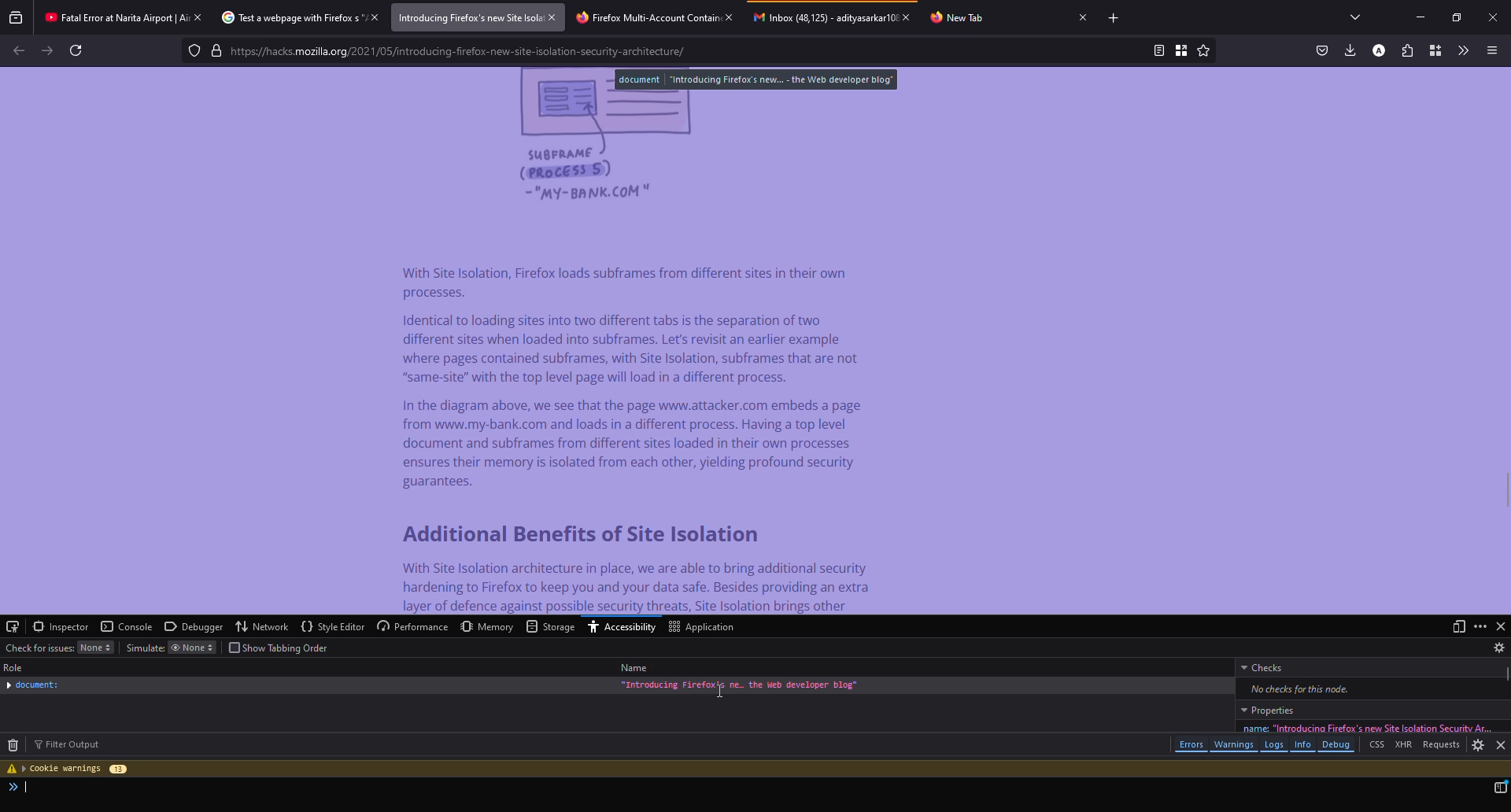  Describe the element at coordinates (643, 16) in the screenshot. I see `Firefox Multi-Account Contain` at that location.